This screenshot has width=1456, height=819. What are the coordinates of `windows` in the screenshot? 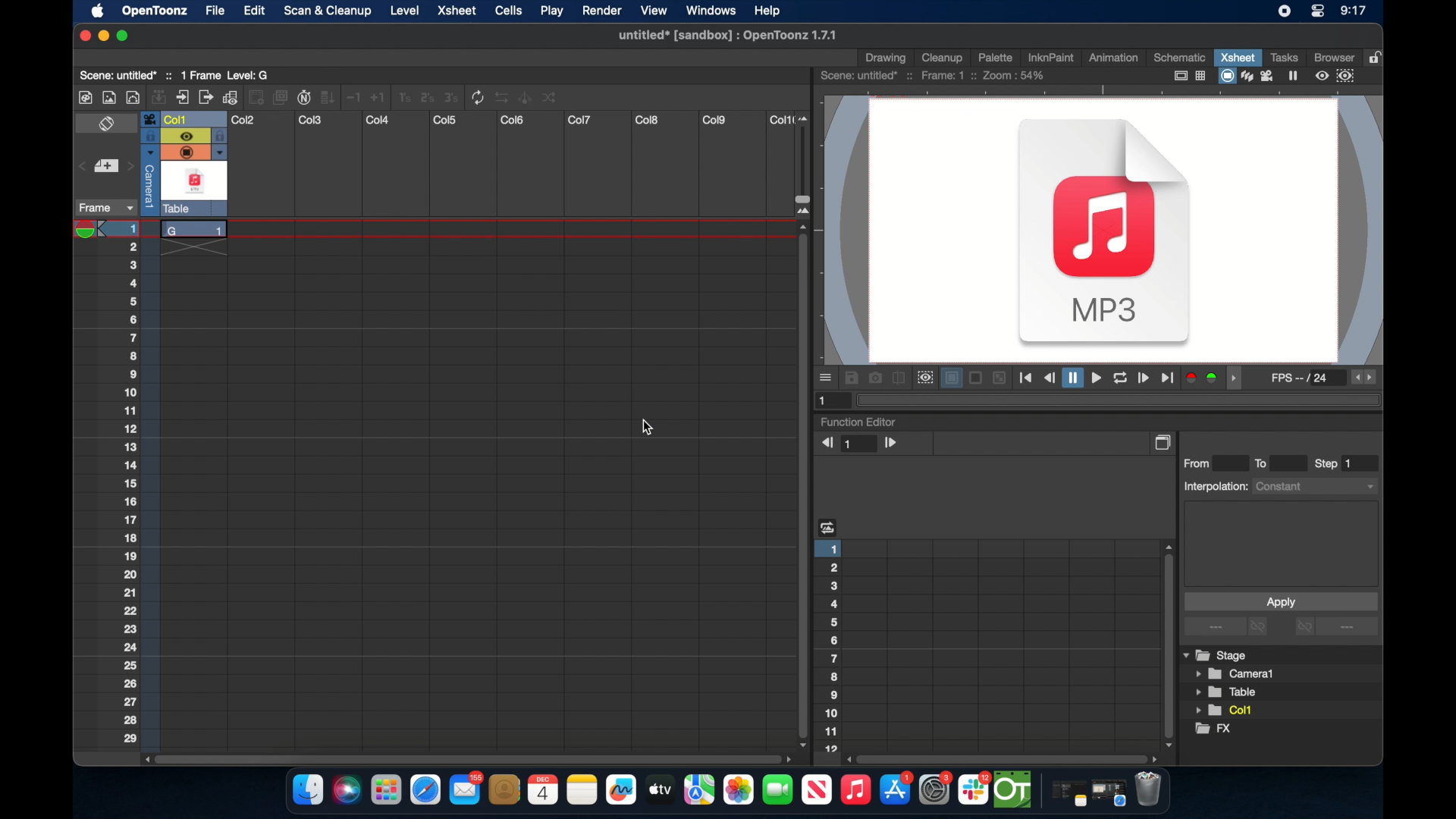 It's located at (711, 11).